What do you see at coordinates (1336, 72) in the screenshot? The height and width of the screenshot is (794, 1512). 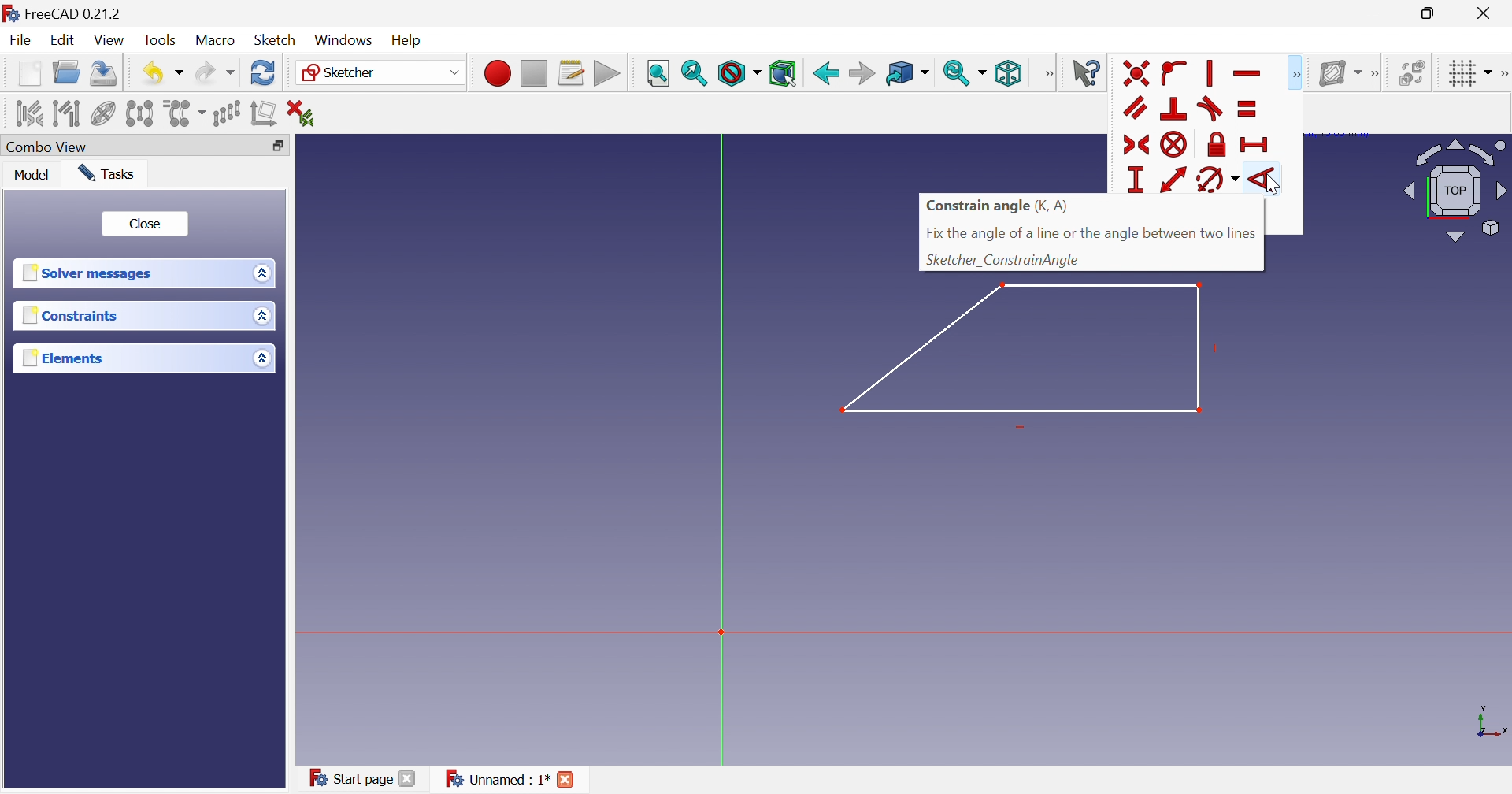 I see `Show/Hide B-spline information layer` at bounding box center [1336, 72].